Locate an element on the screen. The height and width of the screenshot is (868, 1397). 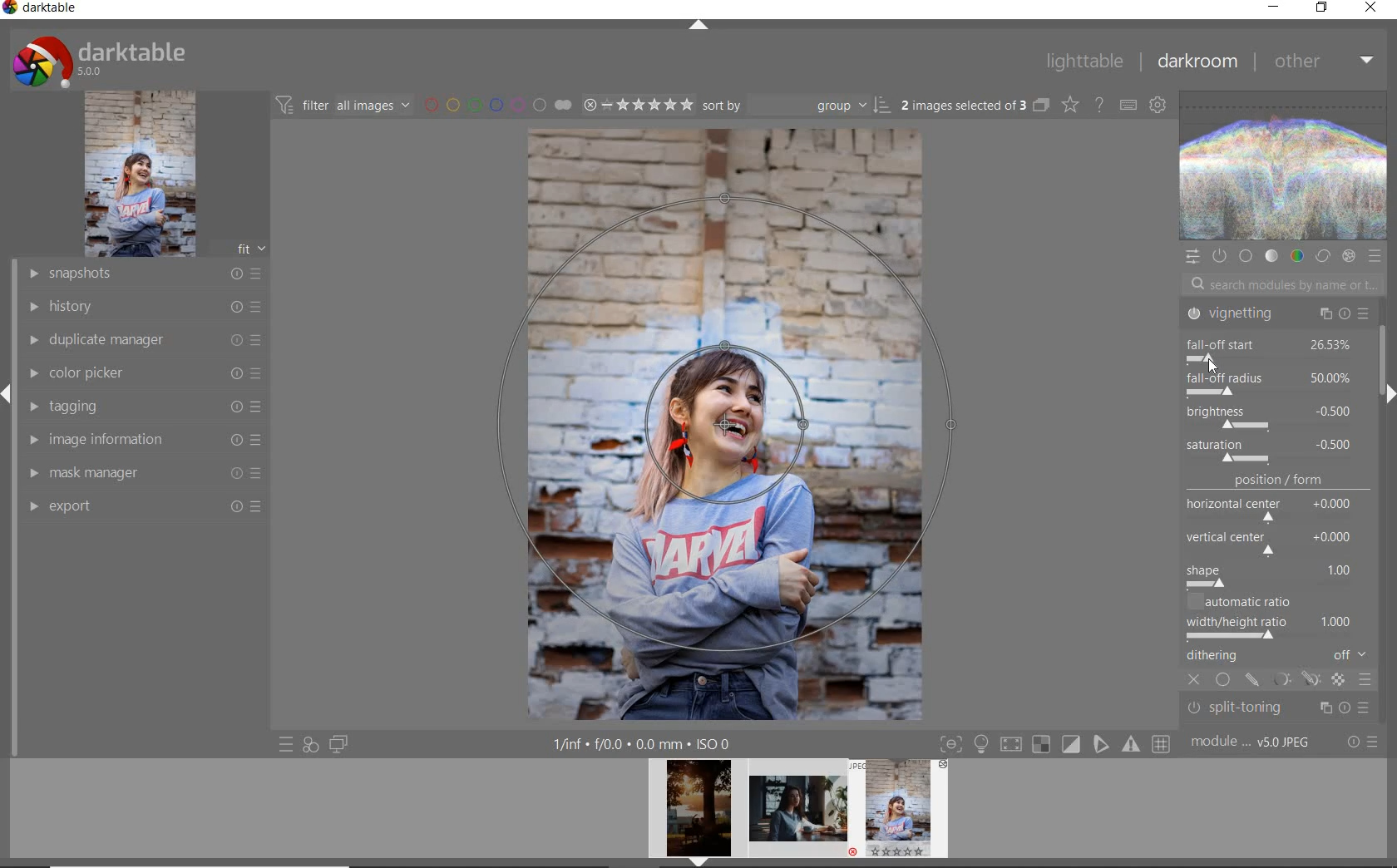
export is located at coordinates (143, 506).